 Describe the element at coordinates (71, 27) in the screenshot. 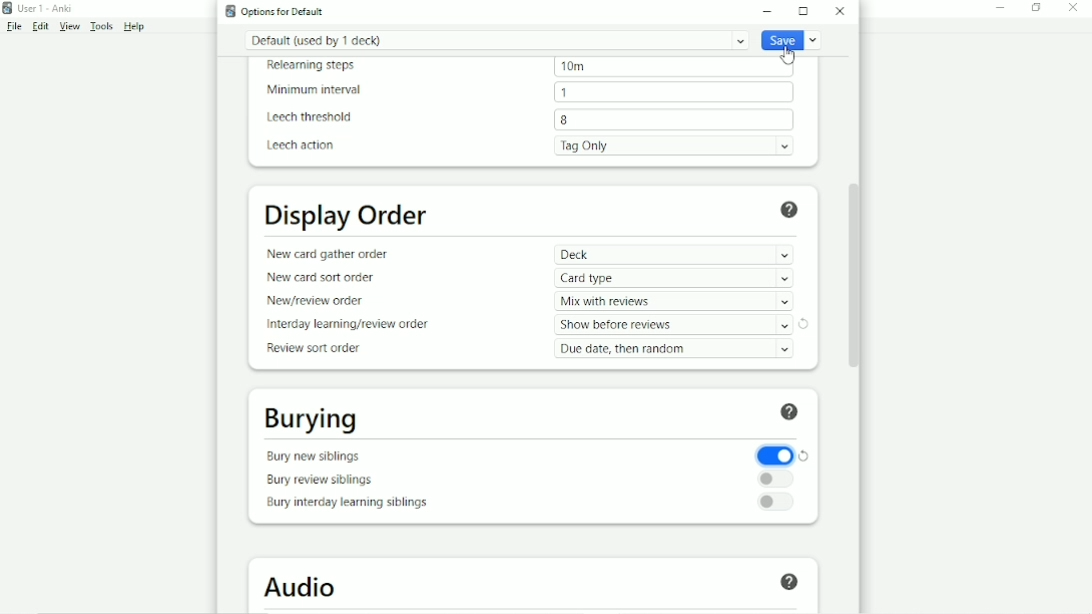

I see `View` at that location.